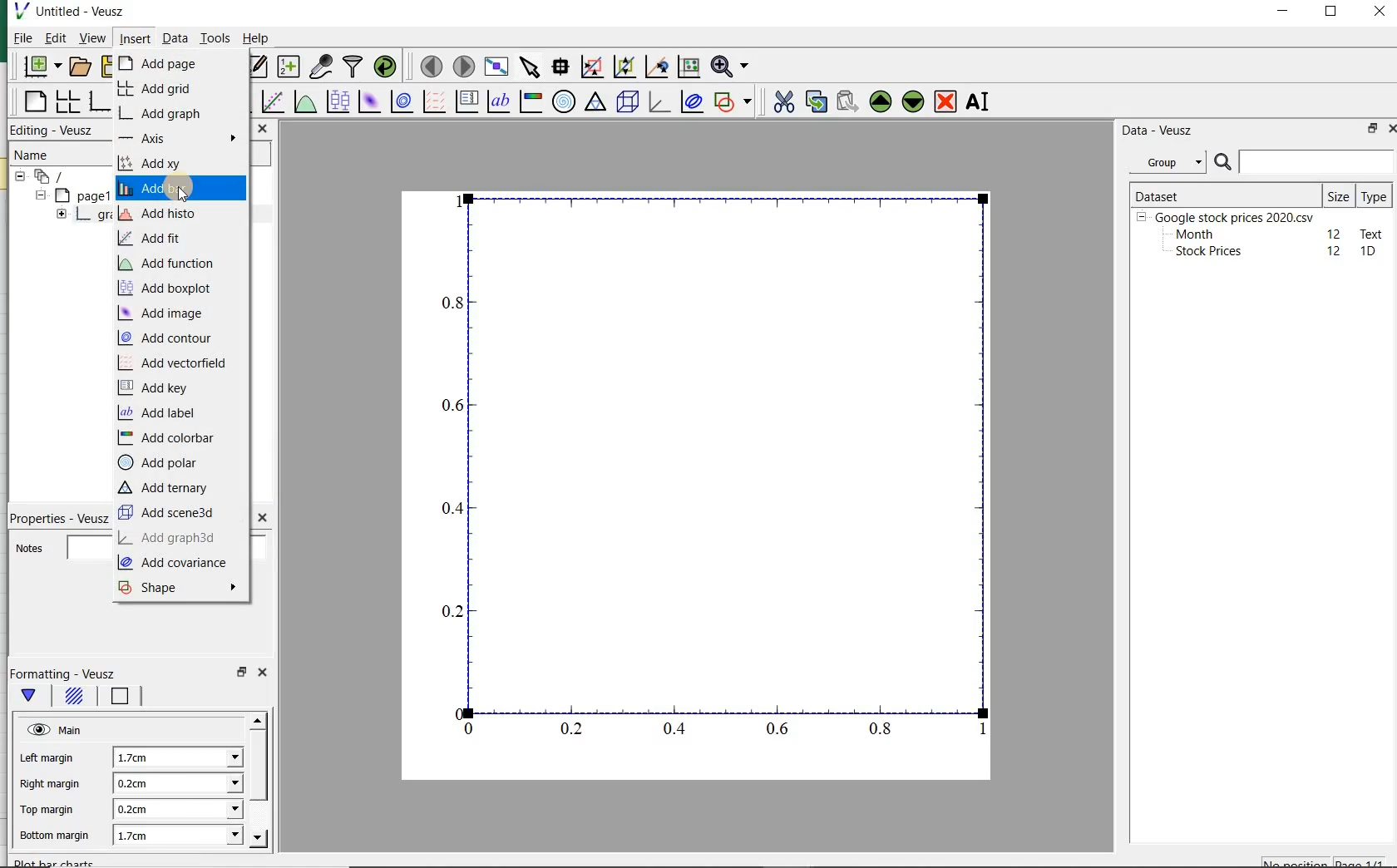 The image size is (1397, 868). Describe the element at coordinates (169, 63) in the screenshot. I see `add page` at that location.